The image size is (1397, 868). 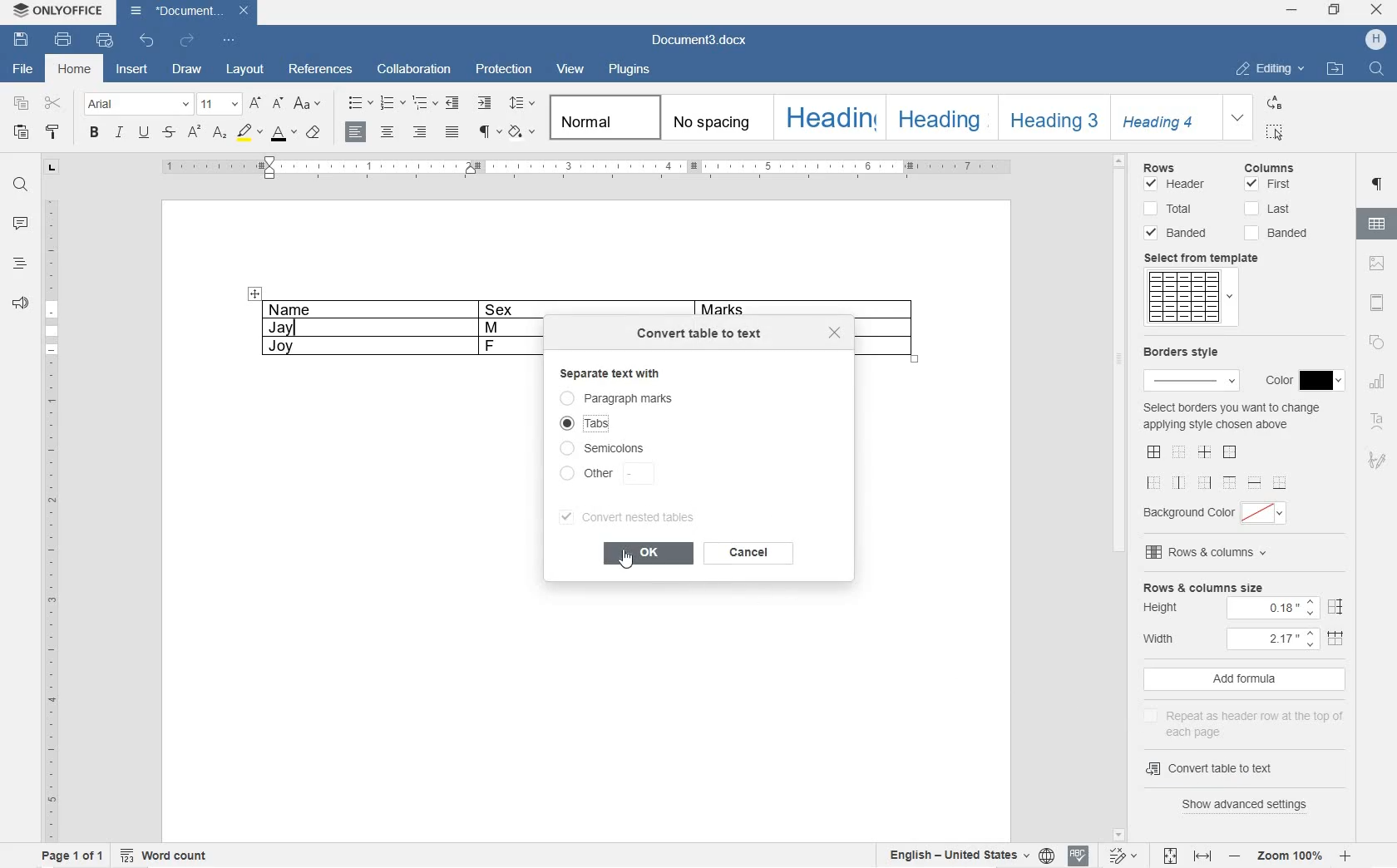 I want to click on HP, so click(x=1378, y=38).